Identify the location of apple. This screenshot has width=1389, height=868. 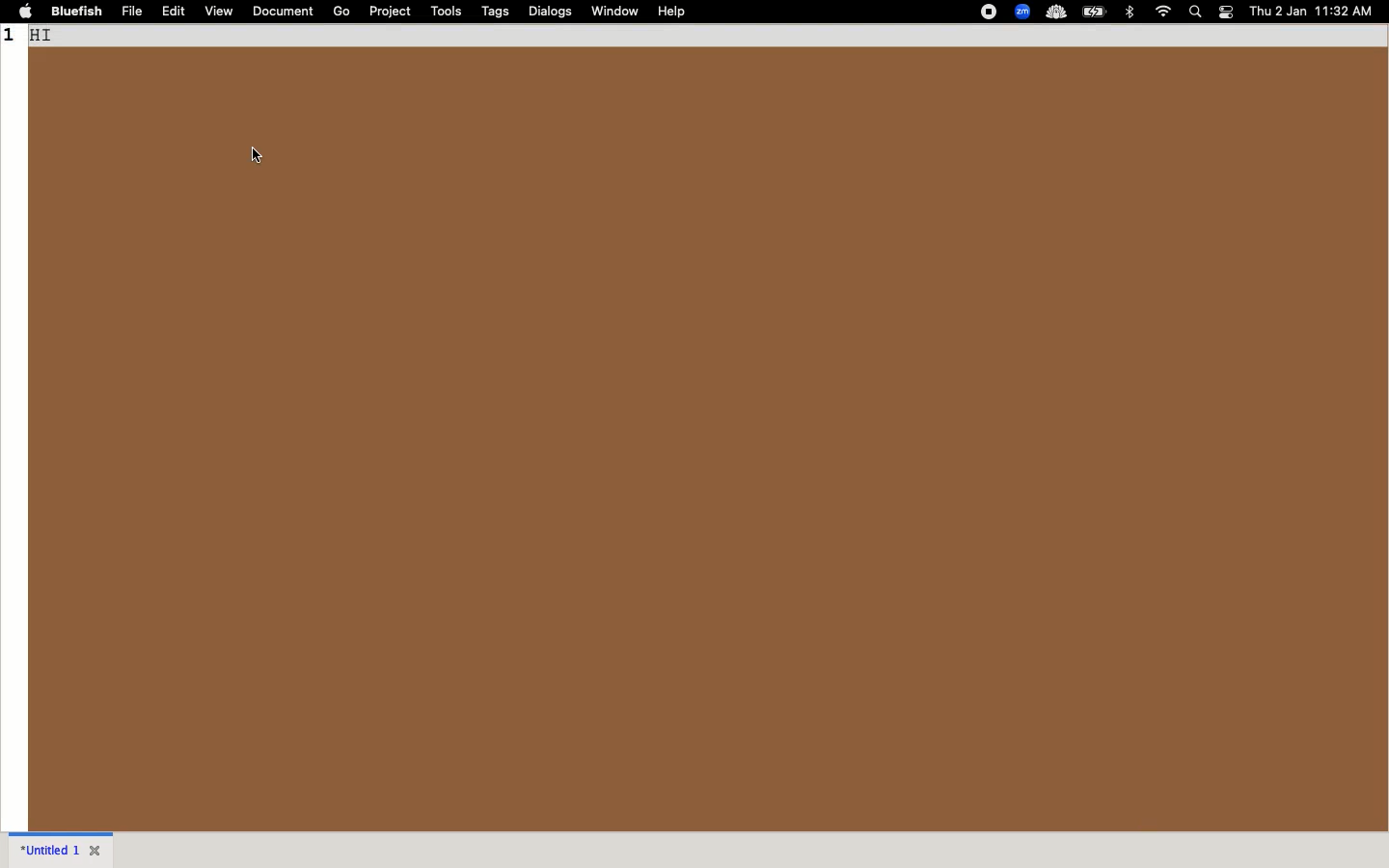
(24, 12).